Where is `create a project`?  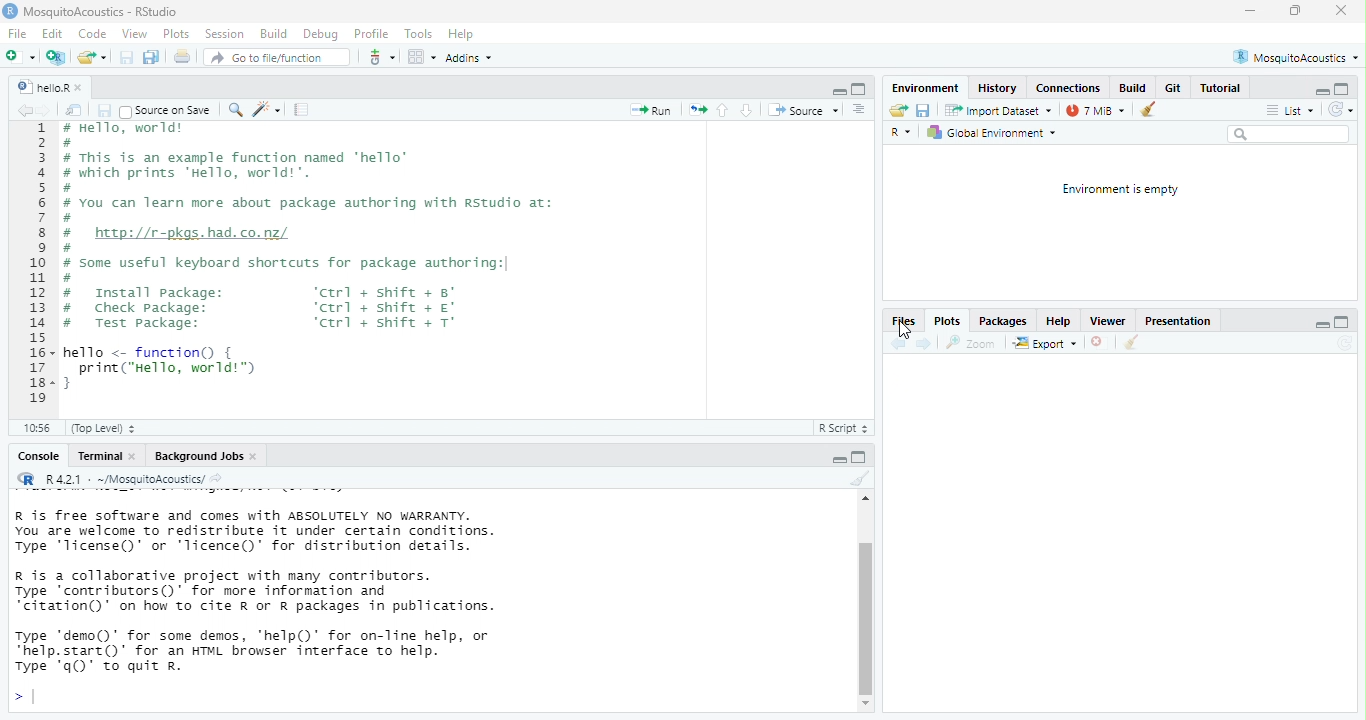 create a project is located at coordinates (57, 57).